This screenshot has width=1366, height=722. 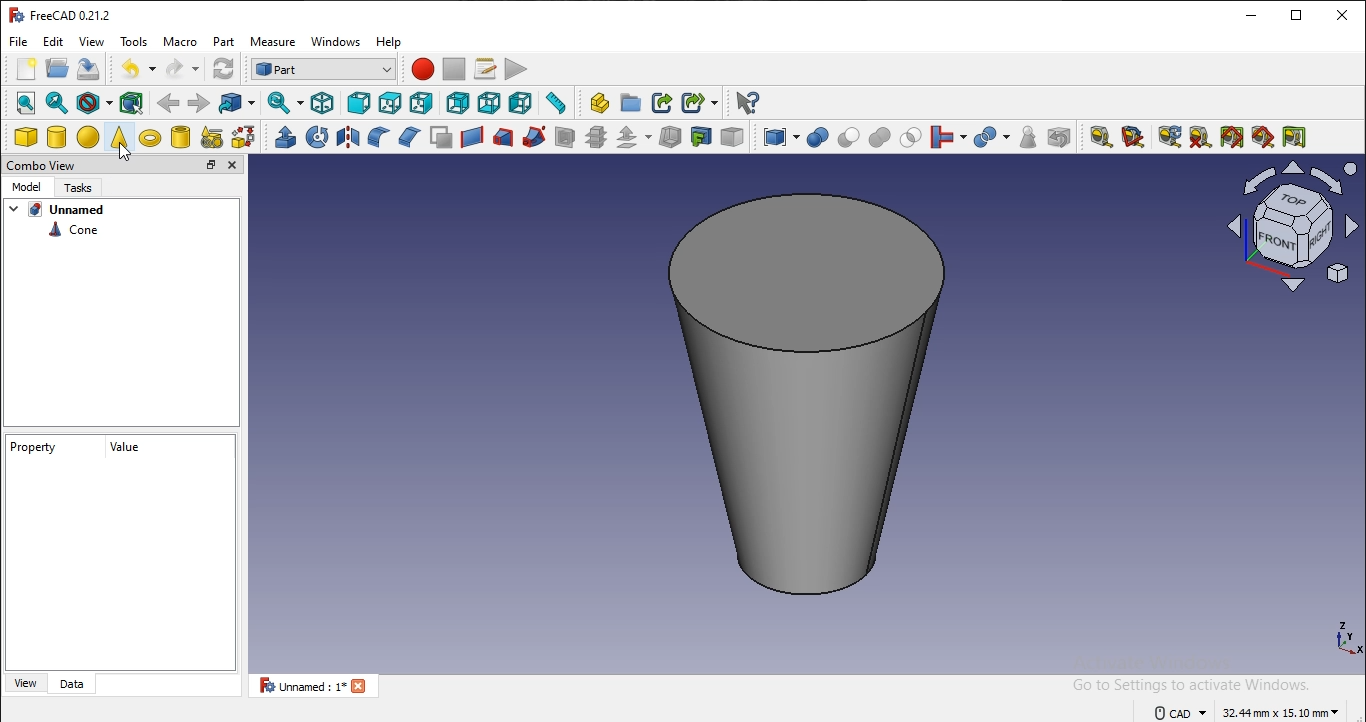 I want to click on sweep, so click(x=533, y=137).